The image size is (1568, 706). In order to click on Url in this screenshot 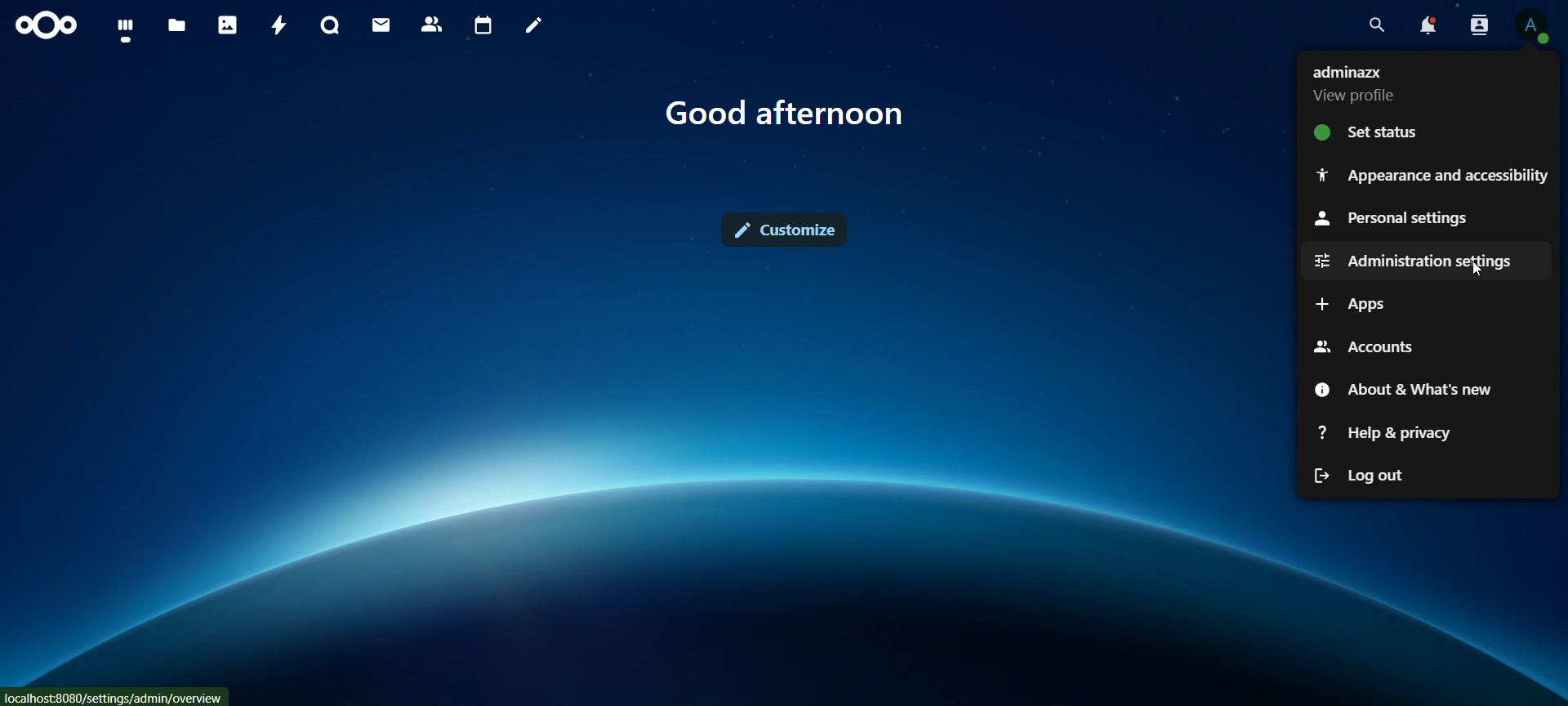, I will do `click(116, 696)`.